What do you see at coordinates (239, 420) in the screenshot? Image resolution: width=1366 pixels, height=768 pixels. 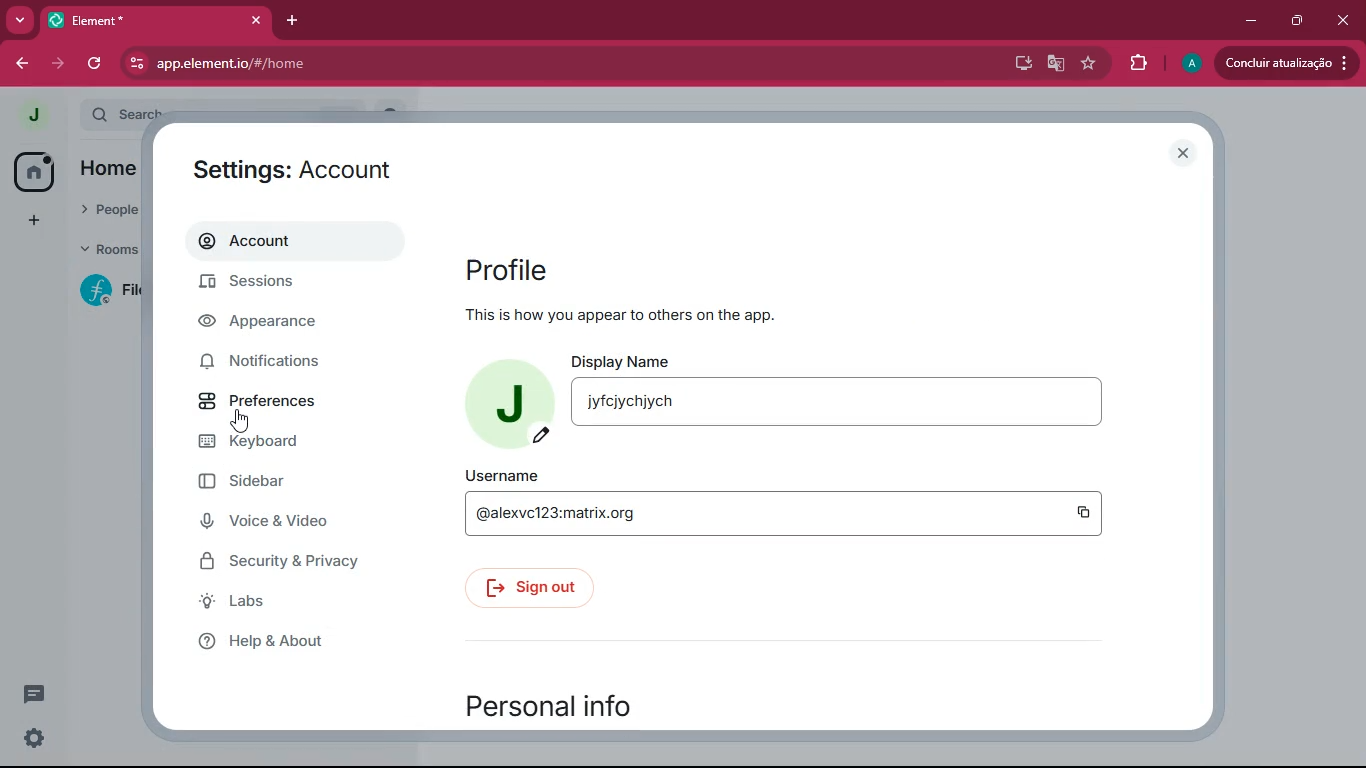 I see `cursor` at bounding box center [239, 420].